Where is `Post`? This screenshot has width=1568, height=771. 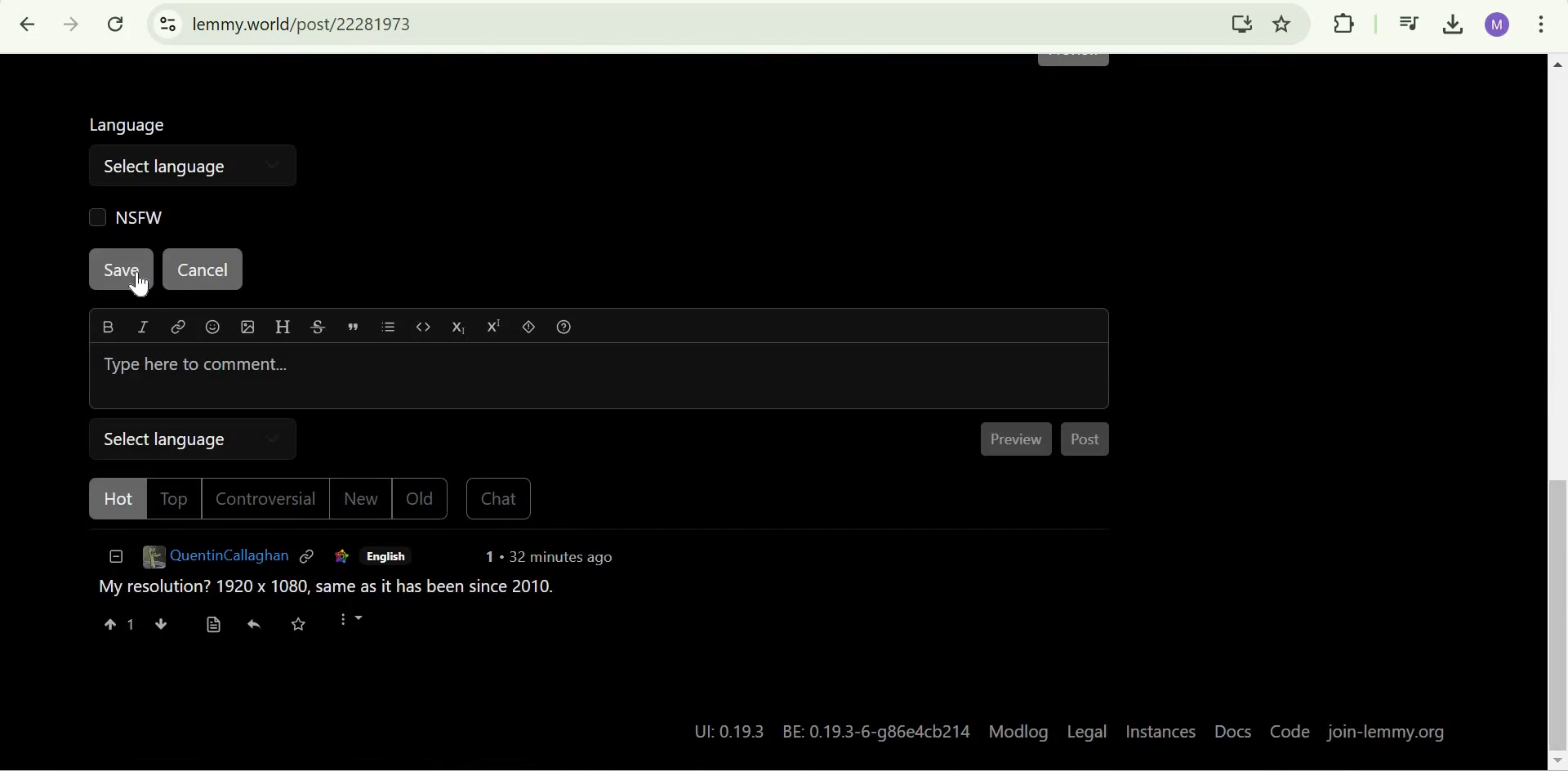
Post is located at coordinates (1089, 443).